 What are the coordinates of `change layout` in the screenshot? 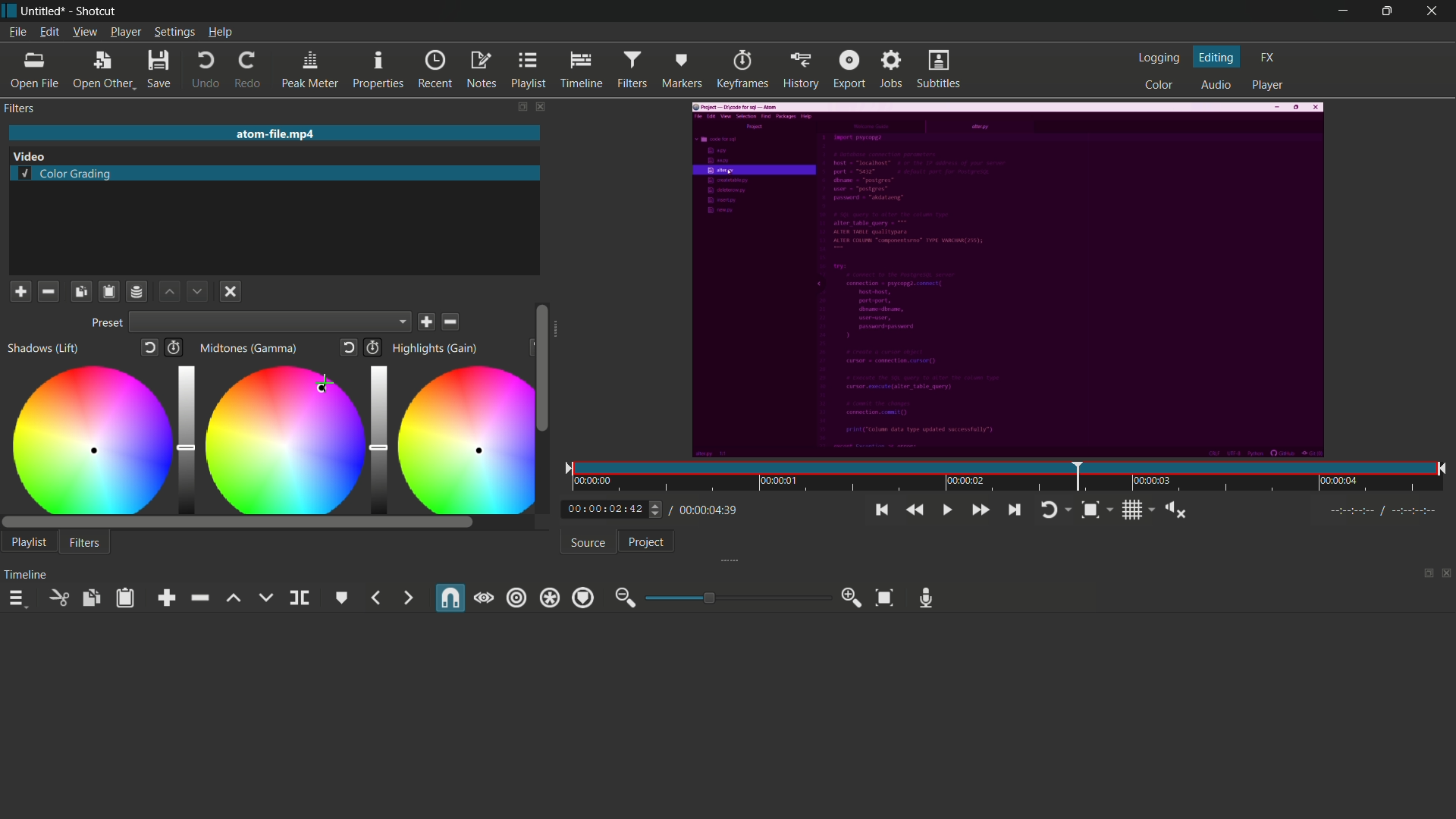 It's located at (1423, 574).